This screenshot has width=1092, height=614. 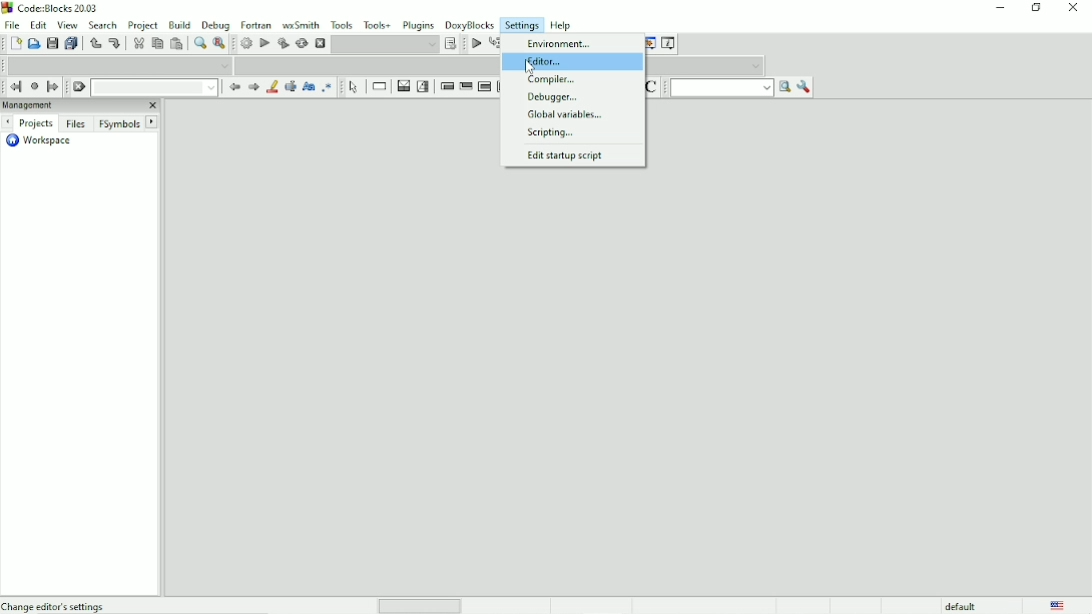 What do you see at coordinates (214, 24) in the screenshot?
I see `Debug` at bounding box center [214, 24].